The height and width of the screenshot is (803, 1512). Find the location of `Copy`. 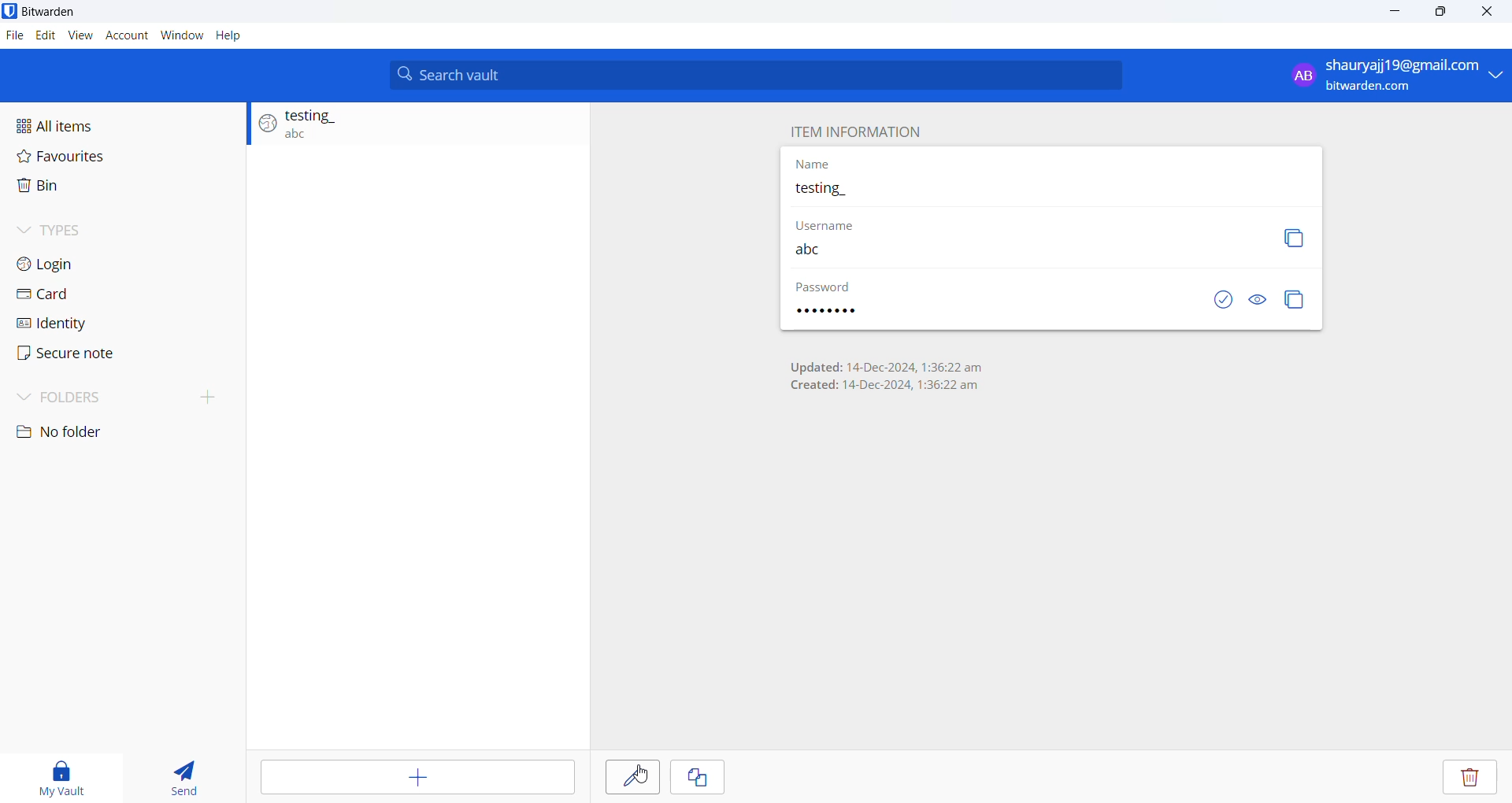

Copy is located at coordinates (700, 777).